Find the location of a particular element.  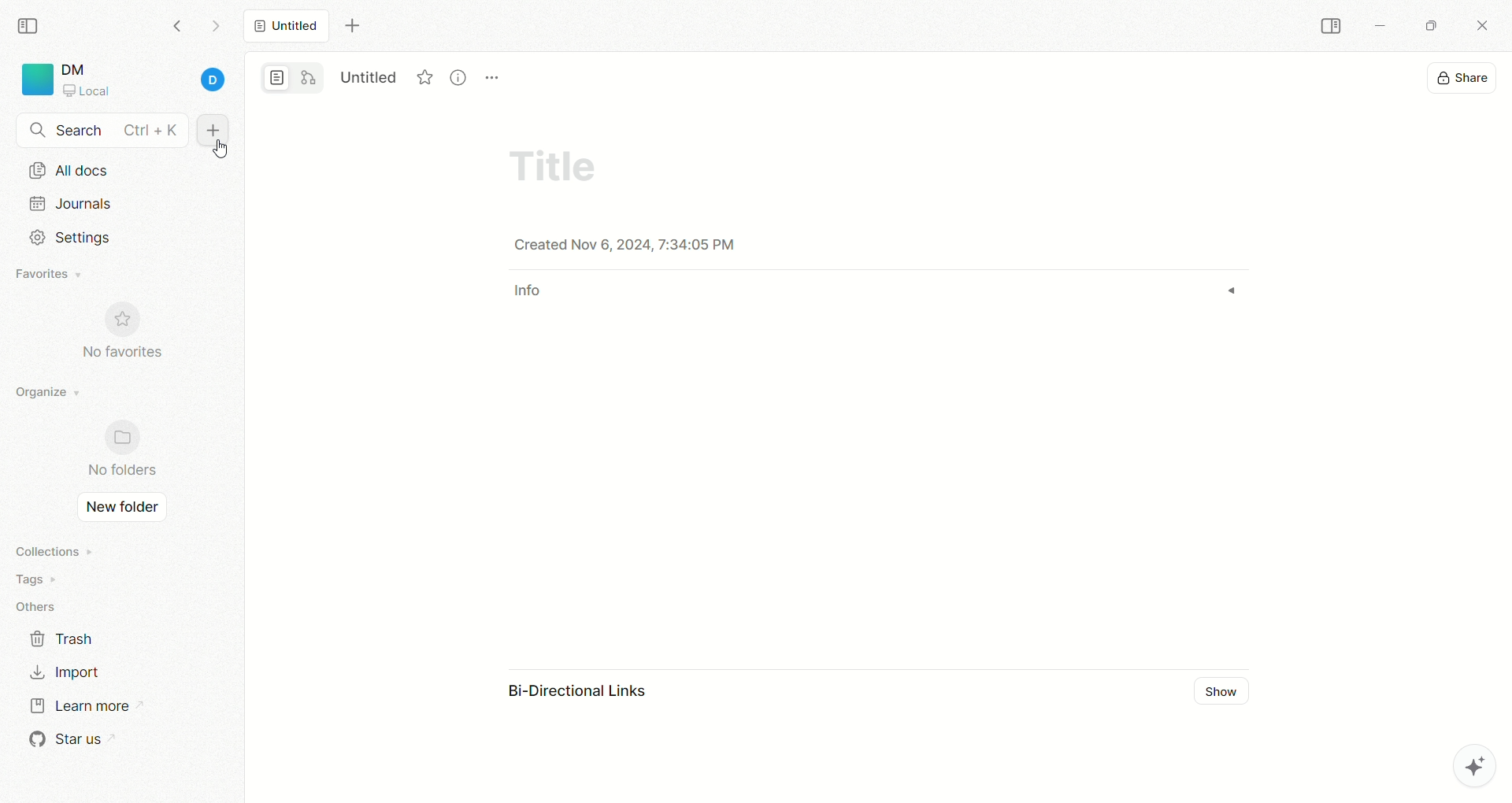

maximize is located at coordinates (1426, 24).